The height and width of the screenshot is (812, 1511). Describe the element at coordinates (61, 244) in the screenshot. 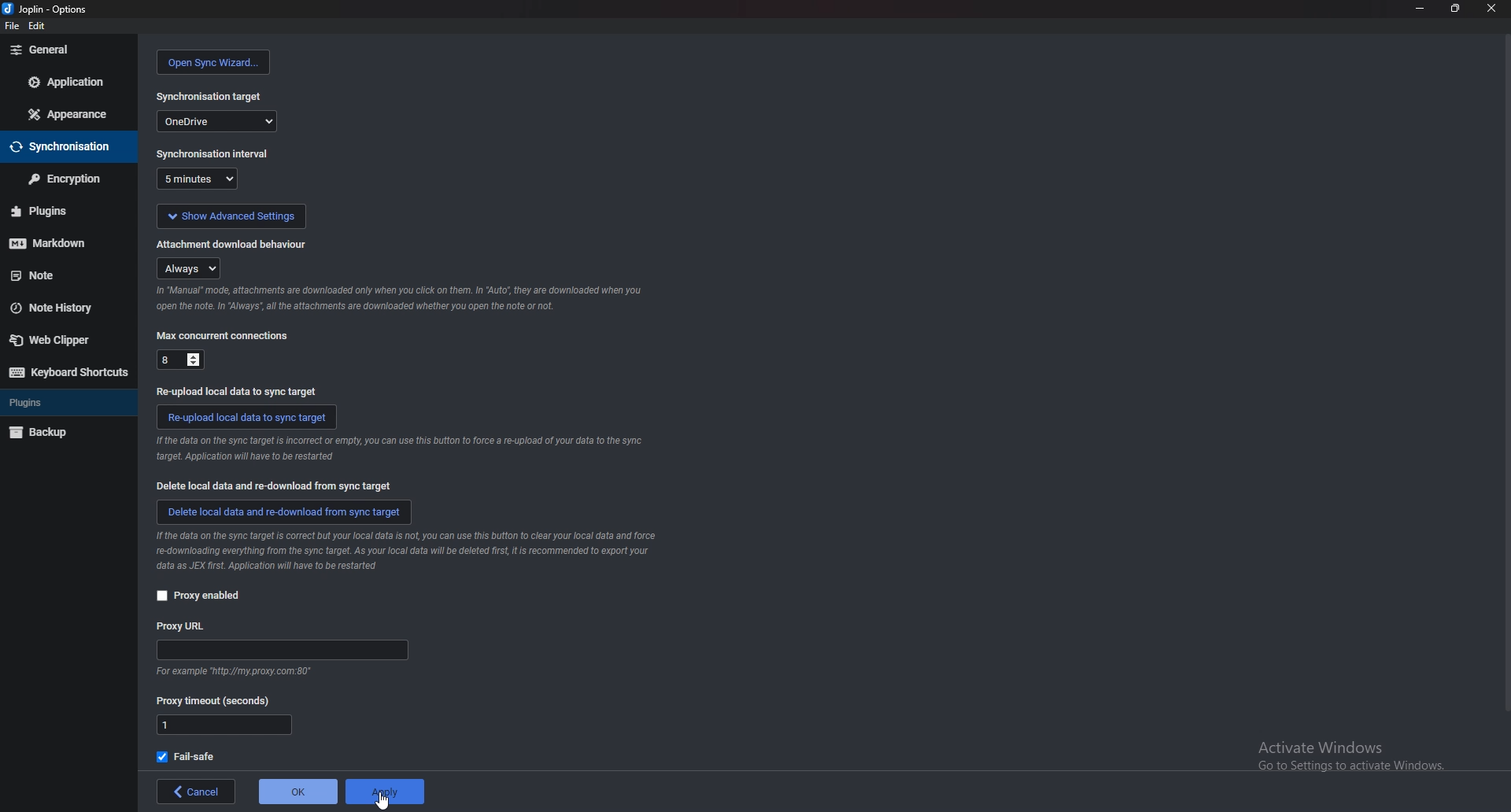

I see `markdown` at that location.